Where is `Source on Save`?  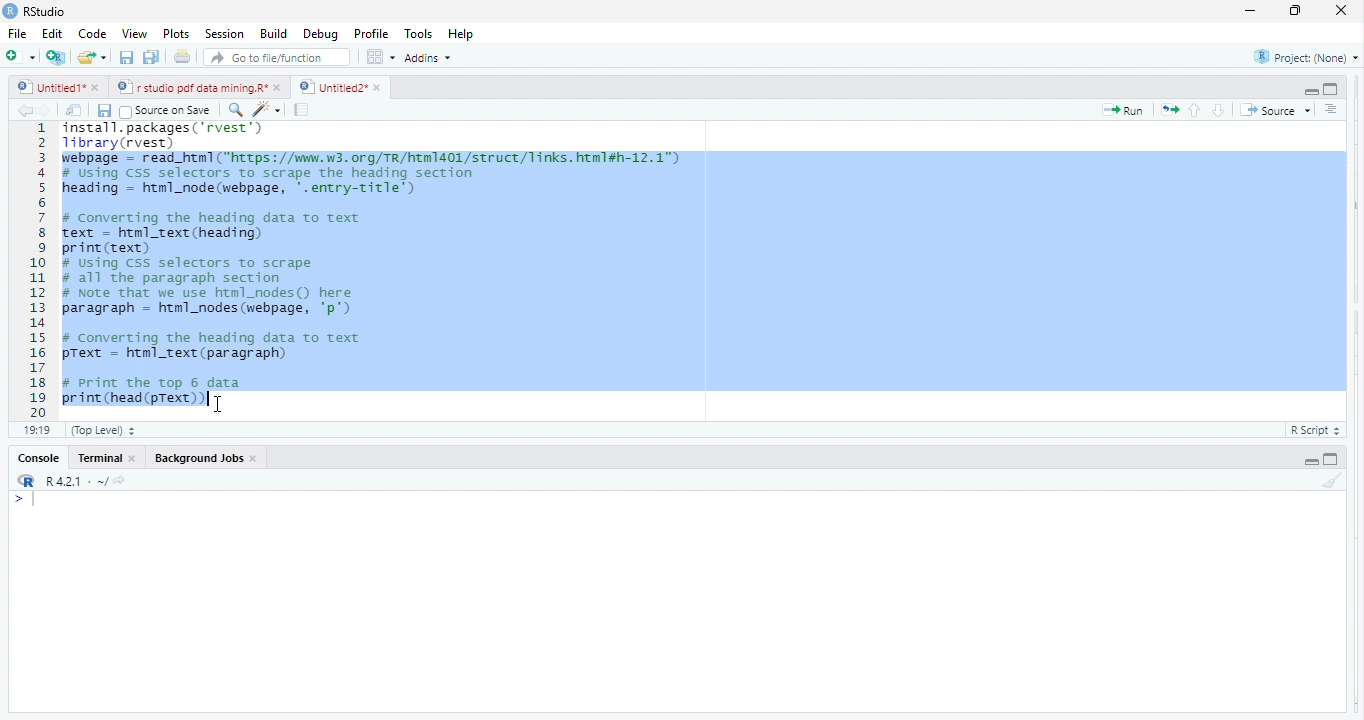
Source on Save is located at coordinates (168, 111).